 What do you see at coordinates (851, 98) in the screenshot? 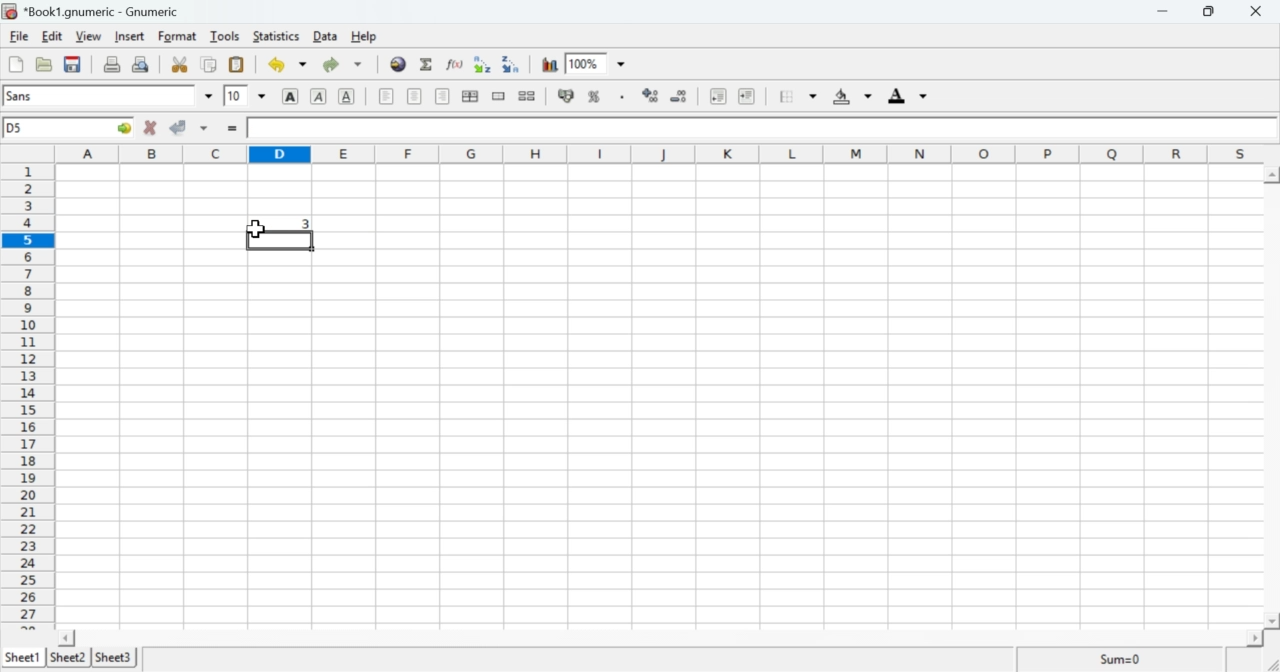
I see `Background` at bounding box center [851, 98].